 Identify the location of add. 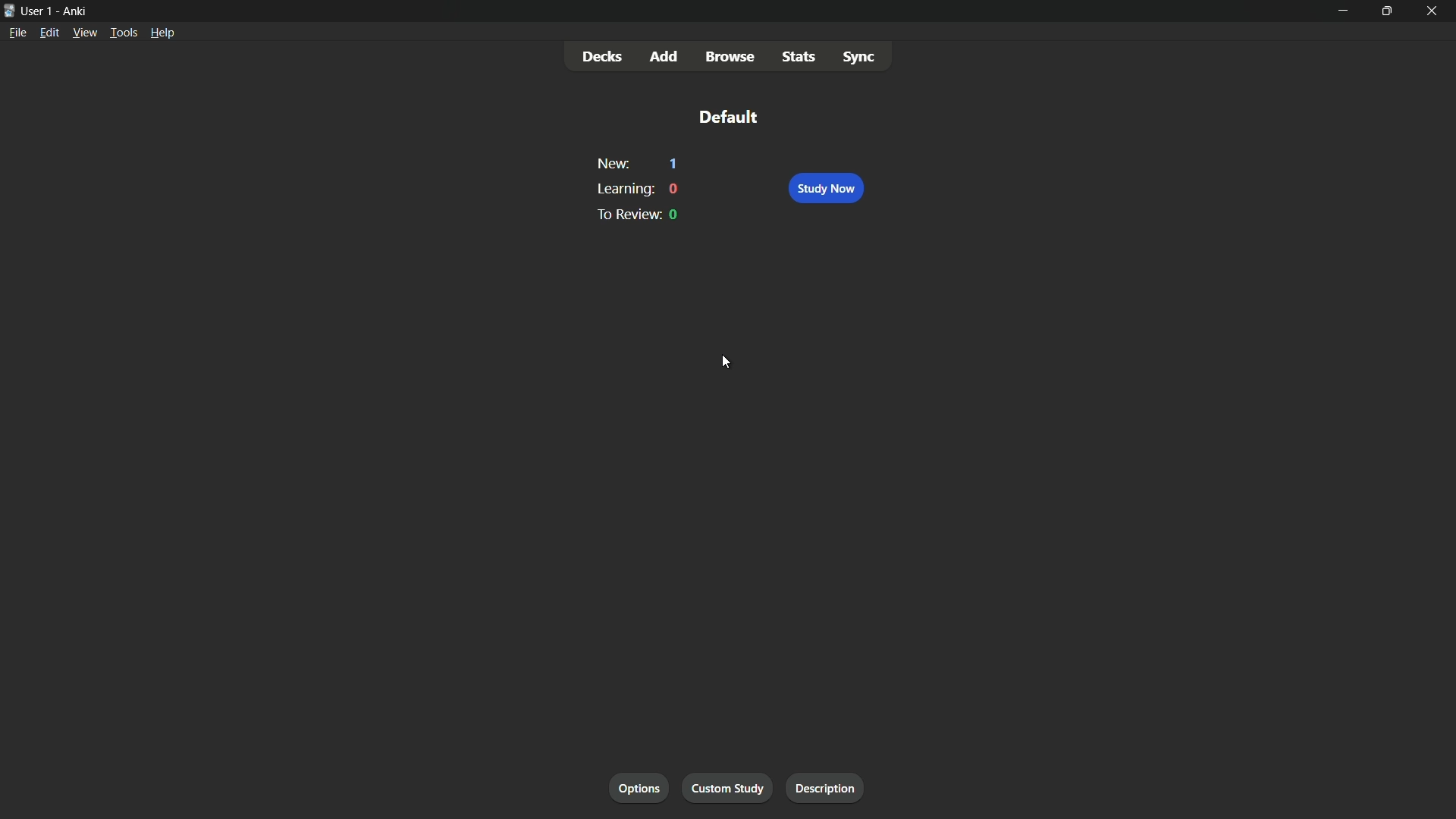
(662, 56).